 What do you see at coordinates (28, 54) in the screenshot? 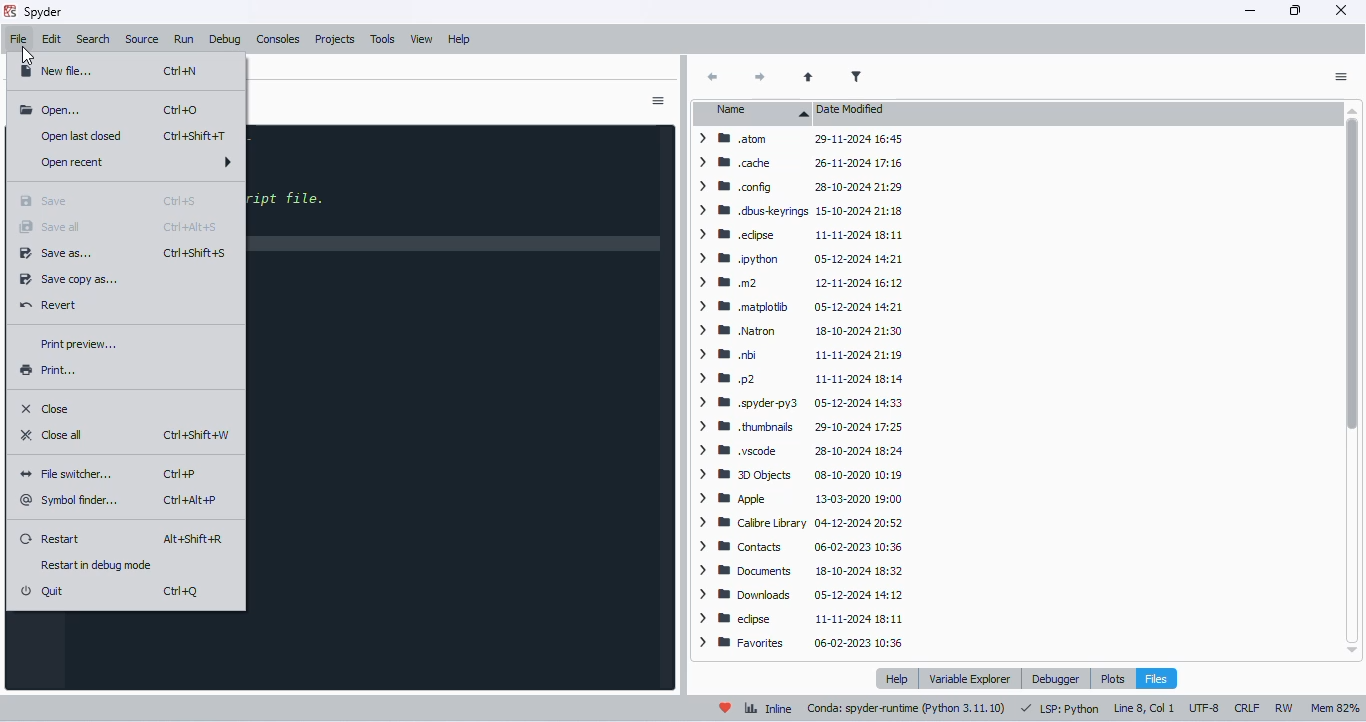
I see `cursor` at bounding box center [28, 54].